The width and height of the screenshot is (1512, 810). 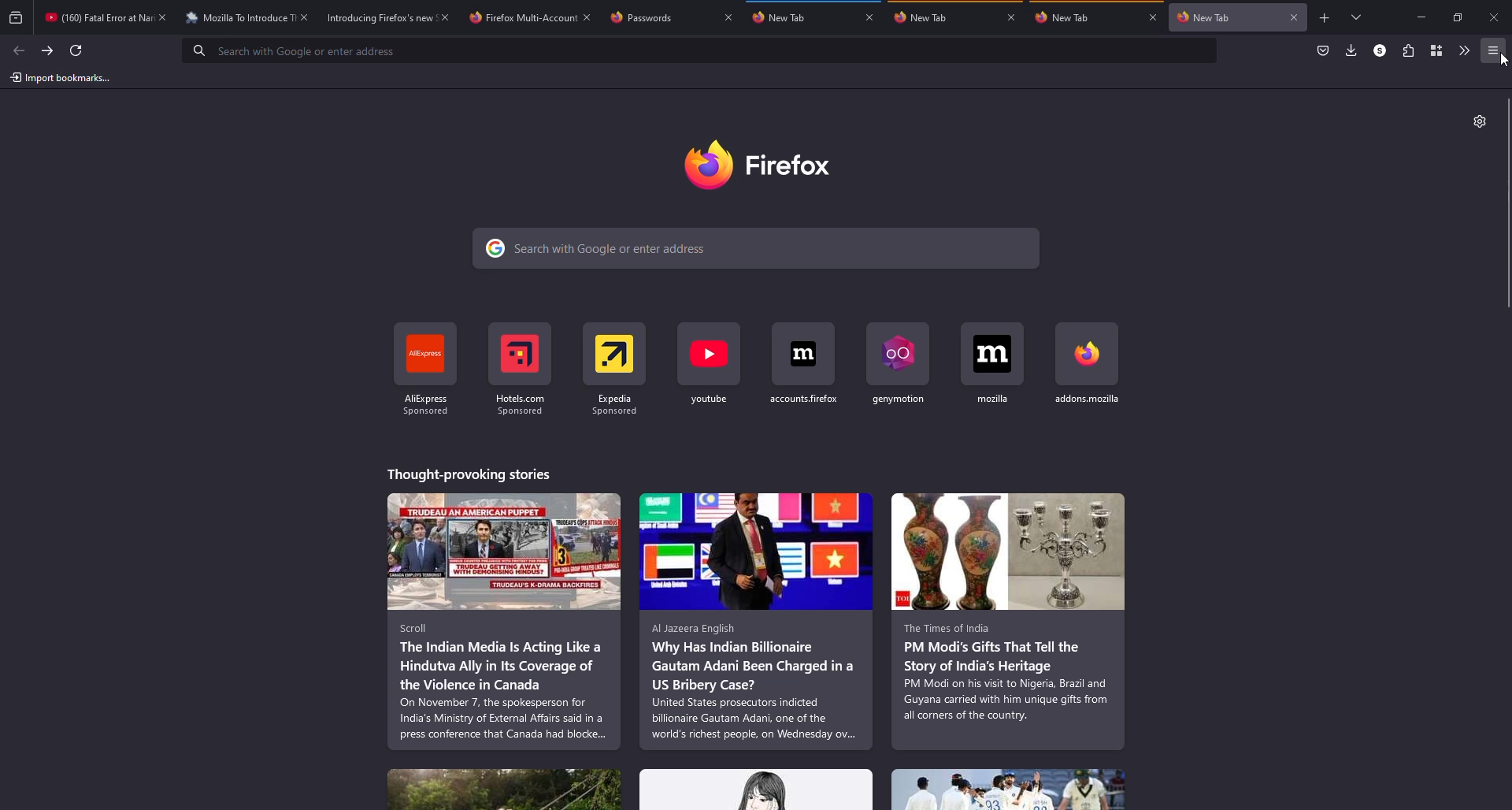 What do you see at coordinates (1201, 17) in the screenshot?
I see `tab` at bounding box center [1201, 17].